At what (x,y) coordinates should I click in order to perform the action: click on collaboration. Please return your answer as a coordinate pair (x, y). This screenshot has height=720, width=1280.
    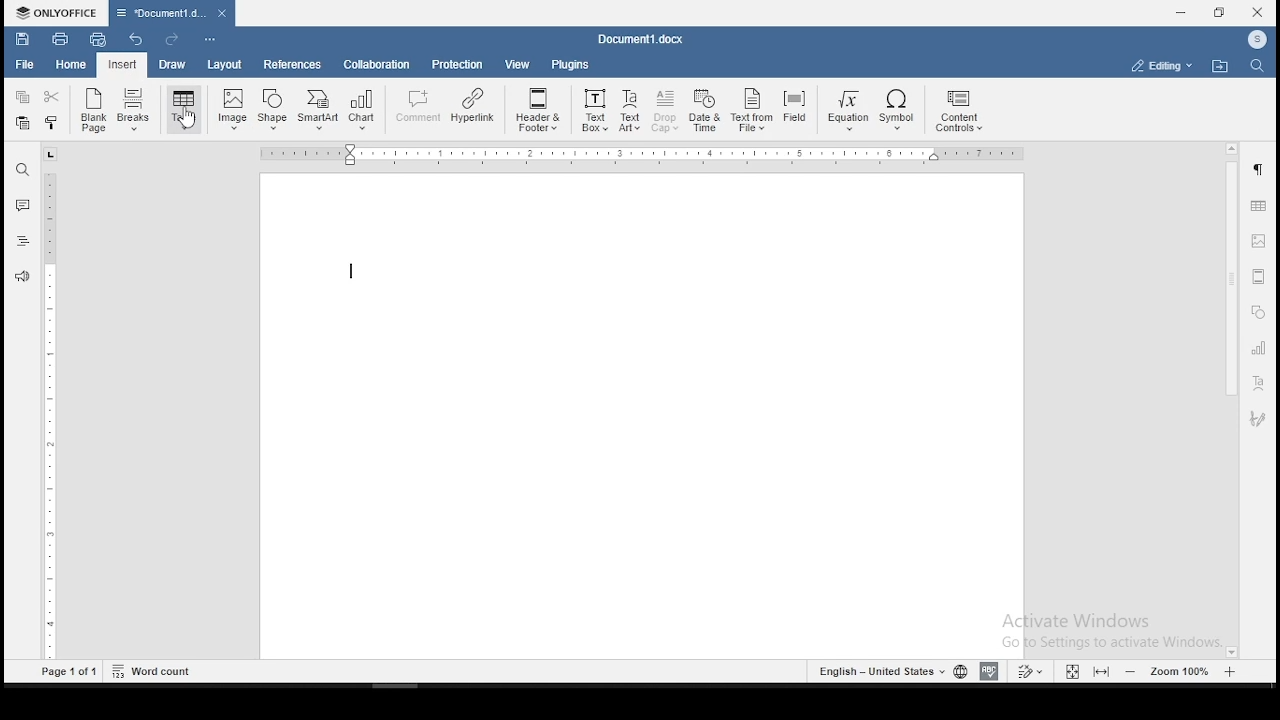
    Looking at the image, I should click on (379, 67).